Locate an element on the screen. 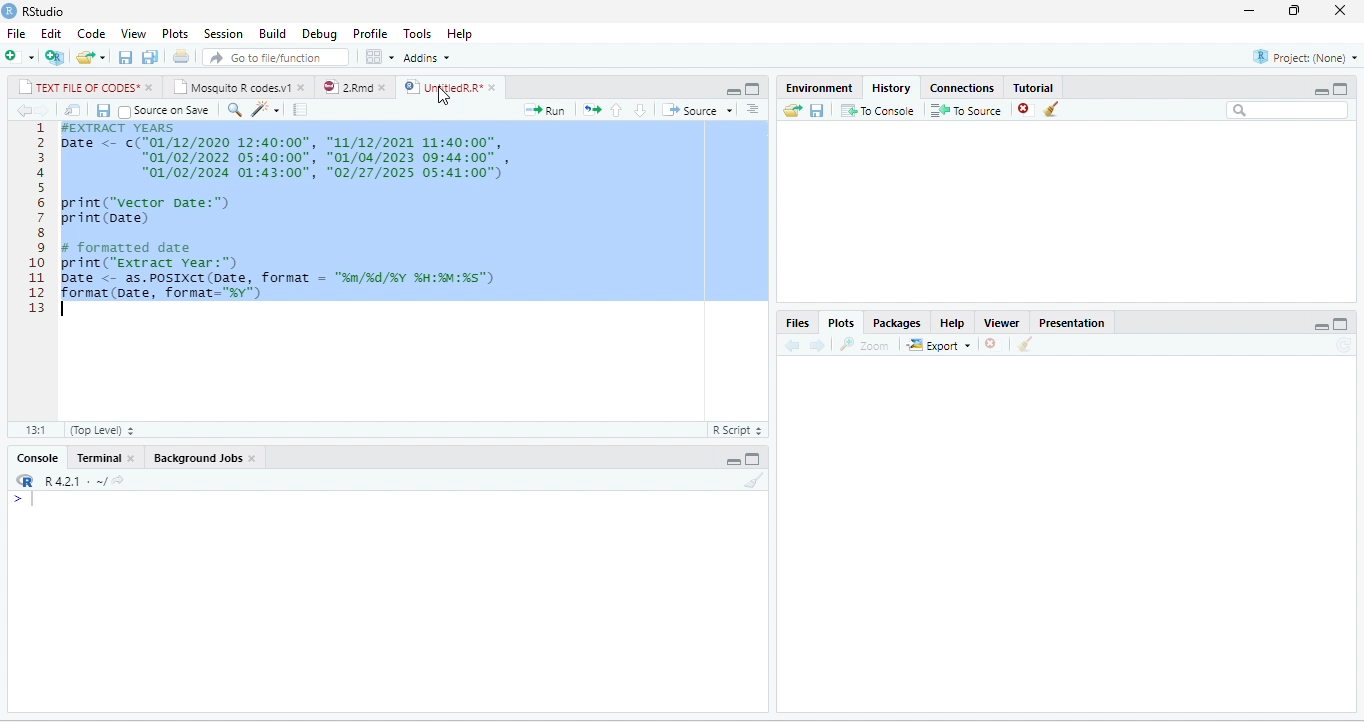 This screenshot has height=722, width=1364. Mosquito R codes.v1 is located at coordinates (232, 87).